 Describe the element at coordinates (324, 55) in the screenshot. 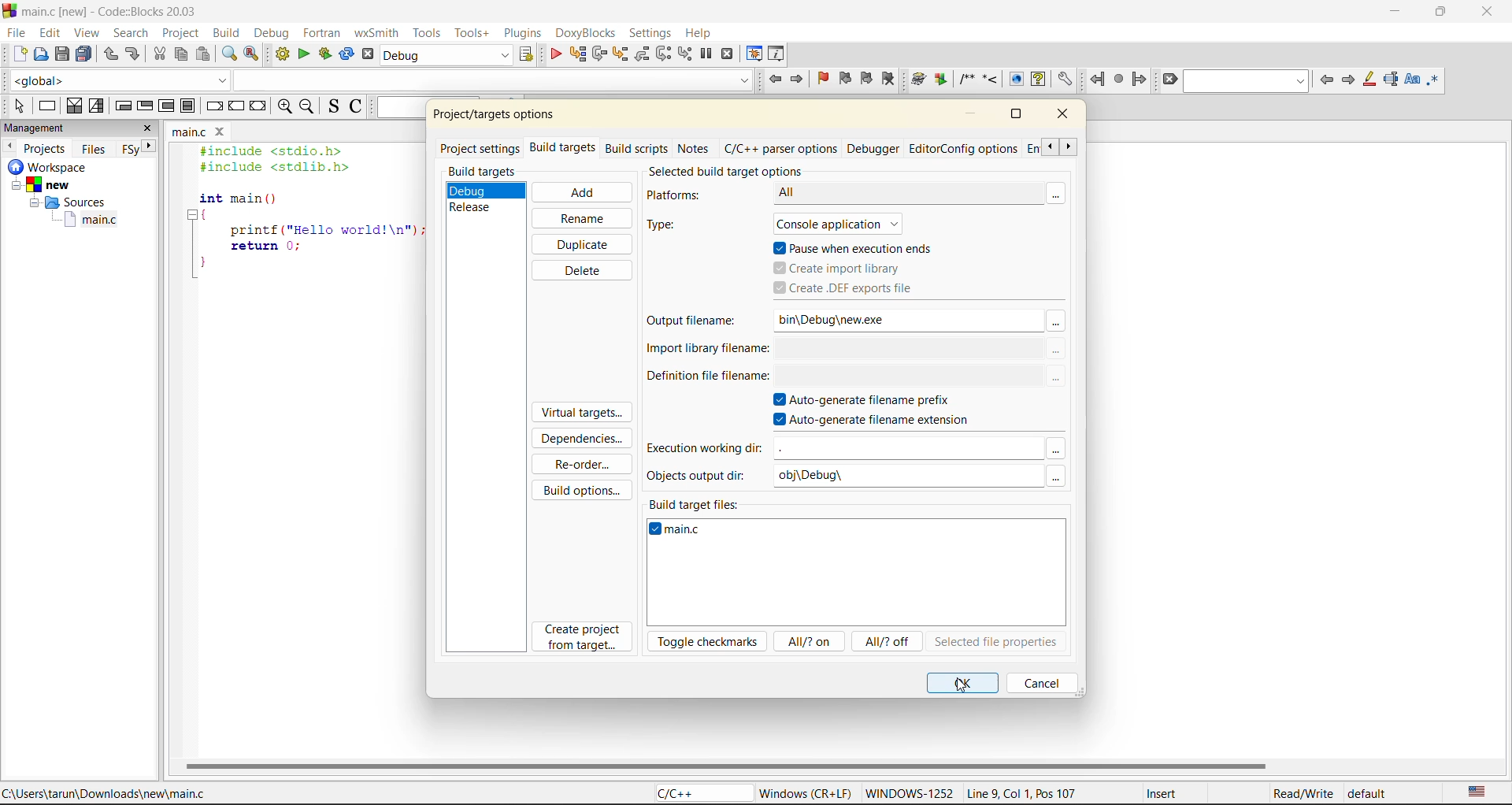

I see `build and run` at that location.